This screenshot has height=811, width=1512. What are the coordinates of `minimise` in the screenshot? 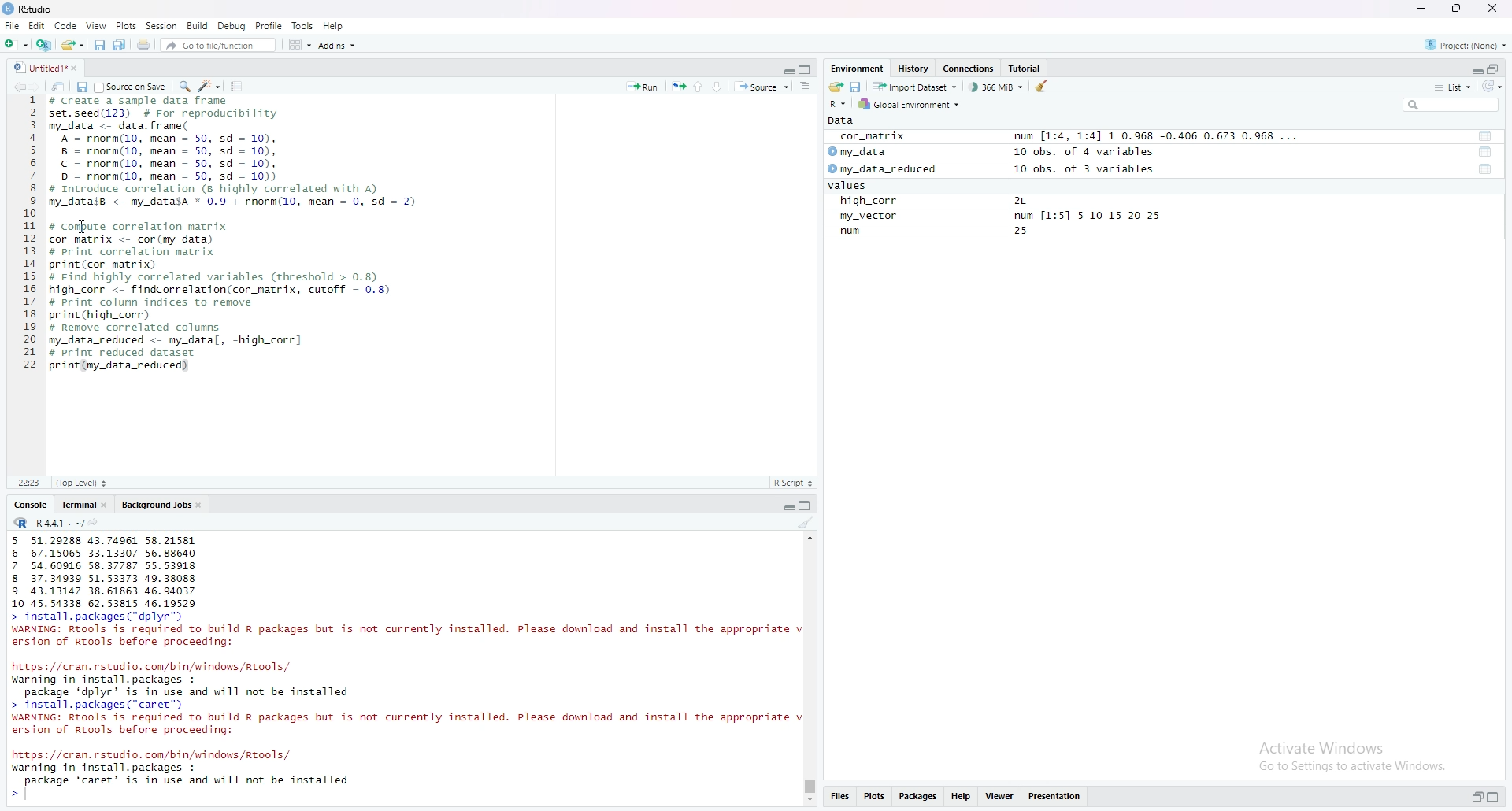 It's located at (1421, 8).